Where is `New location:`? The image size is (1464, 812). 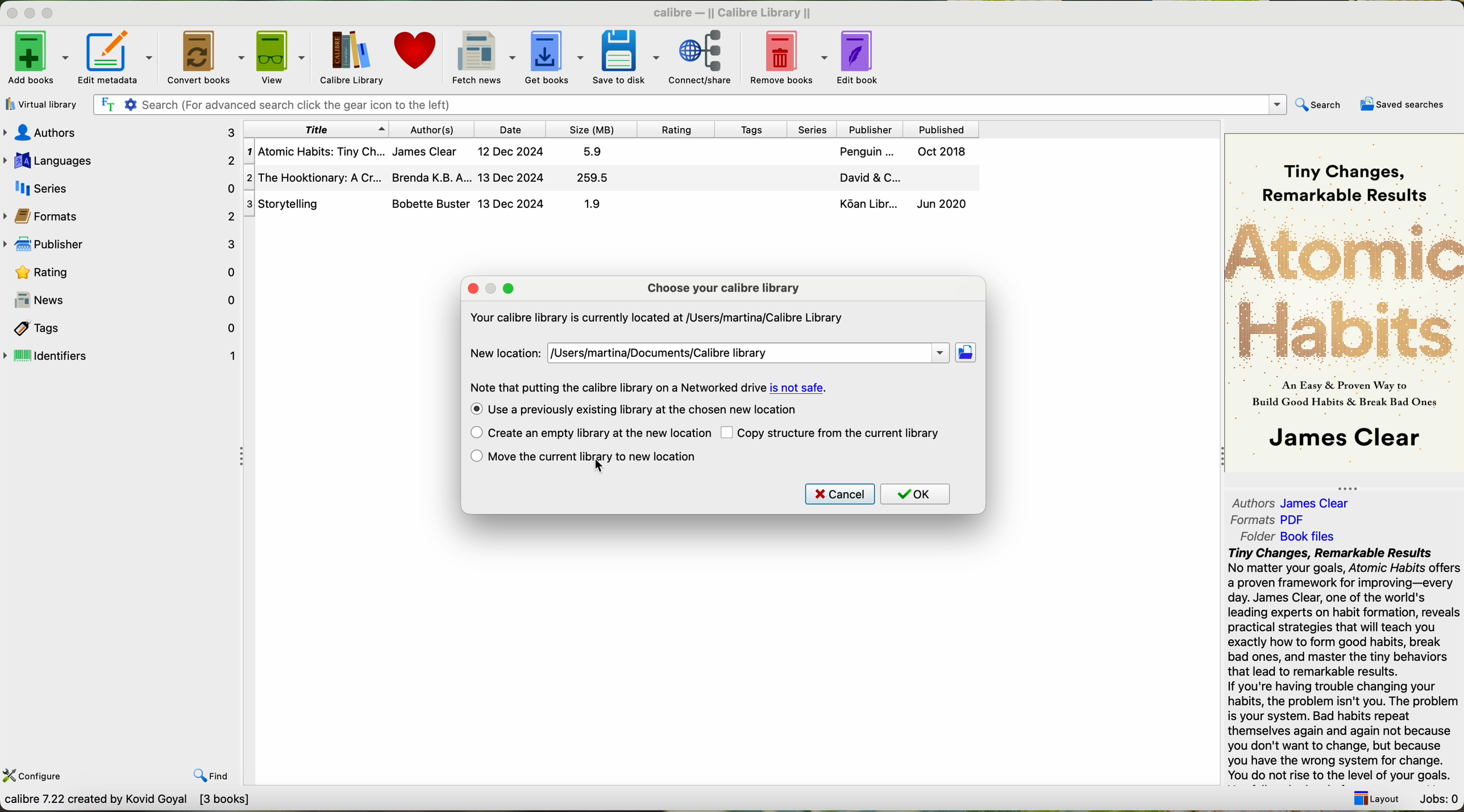
New location: is located at coordinates (508, 351).